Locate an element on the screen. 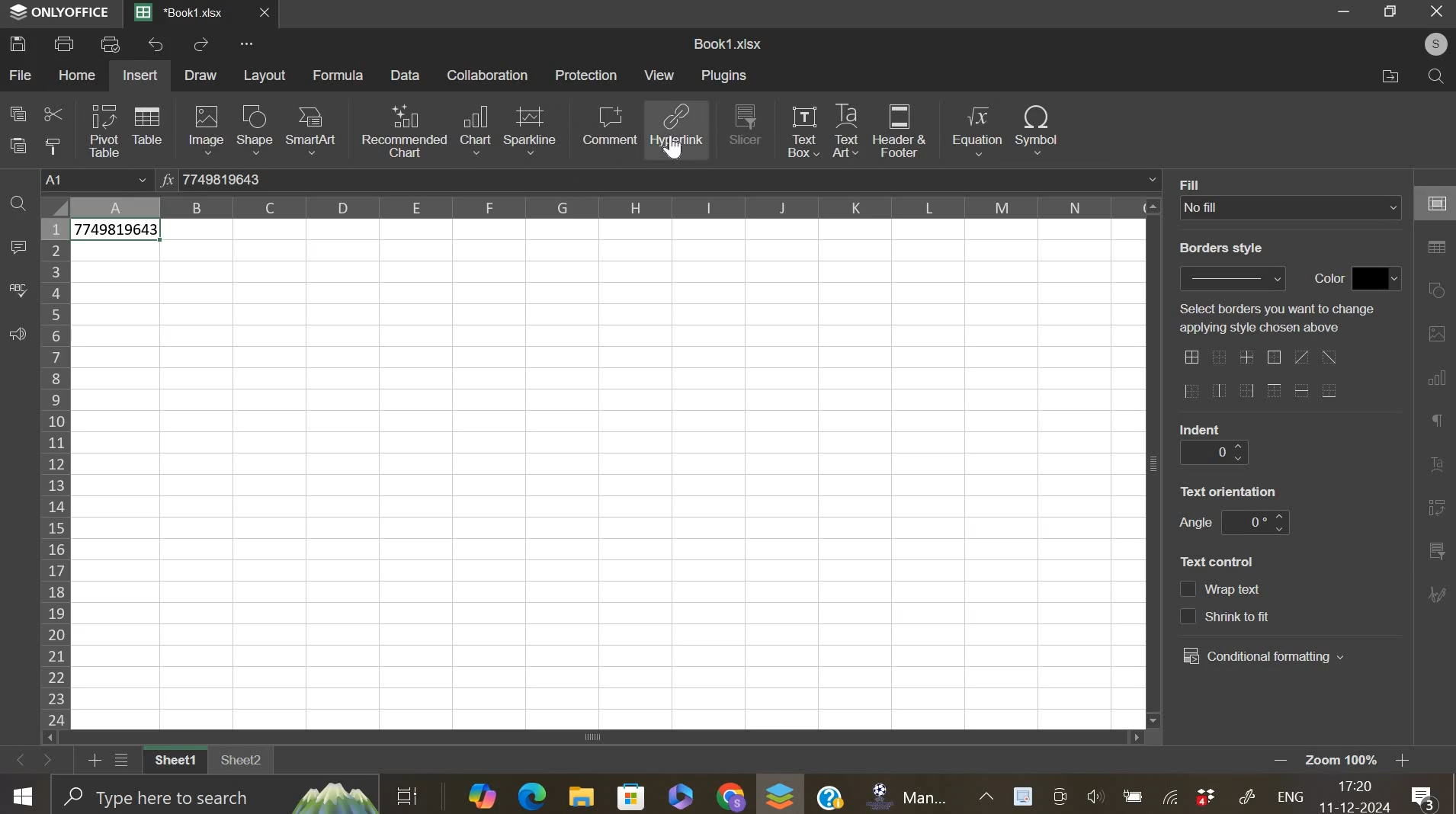 This screenshot has width=1456, height=814. formula bar is located at coordinates (670, 179).